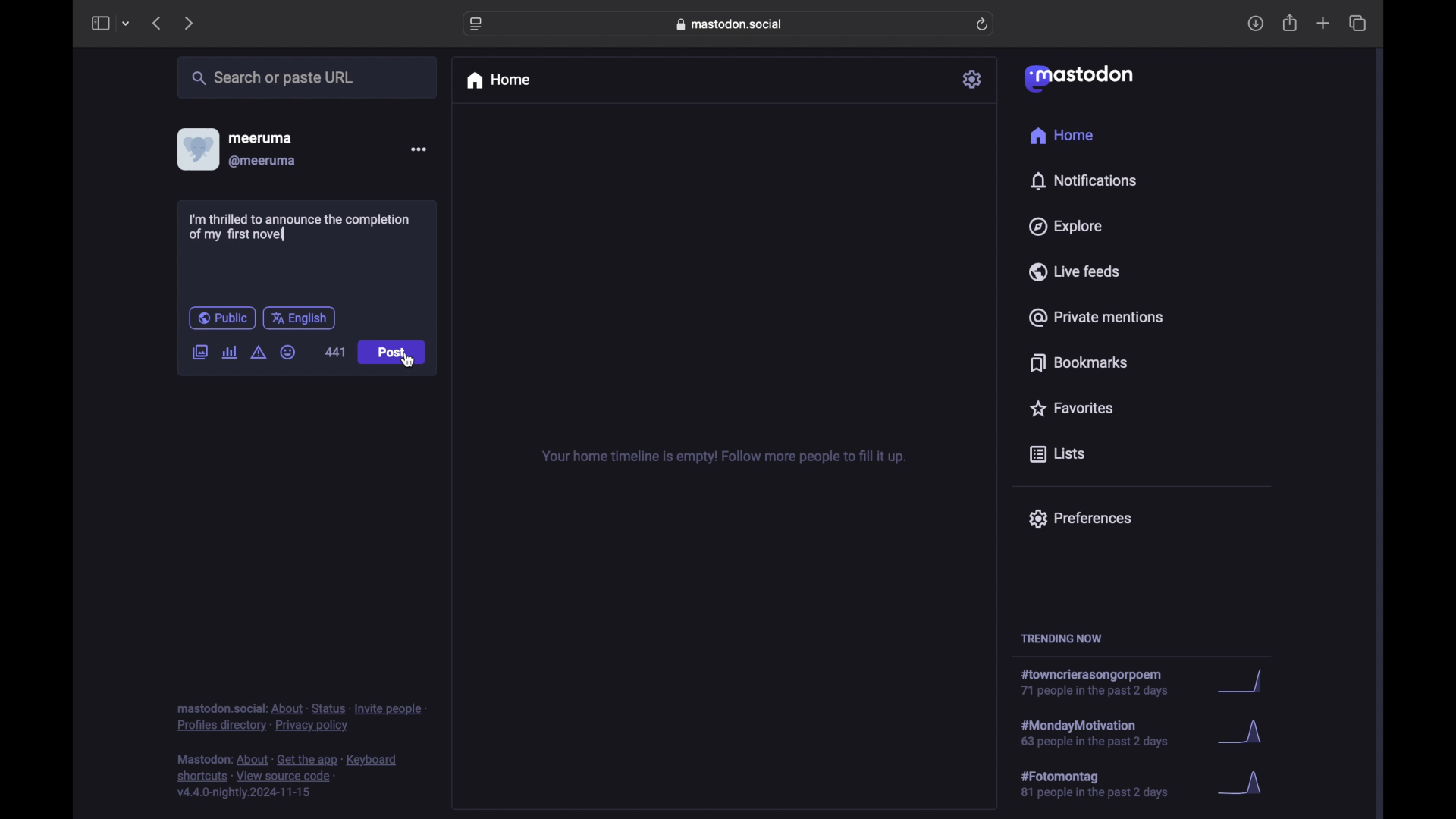  Describe the element at coordinates (1083, 181) in the screenshot. I see `notifications` at that location.